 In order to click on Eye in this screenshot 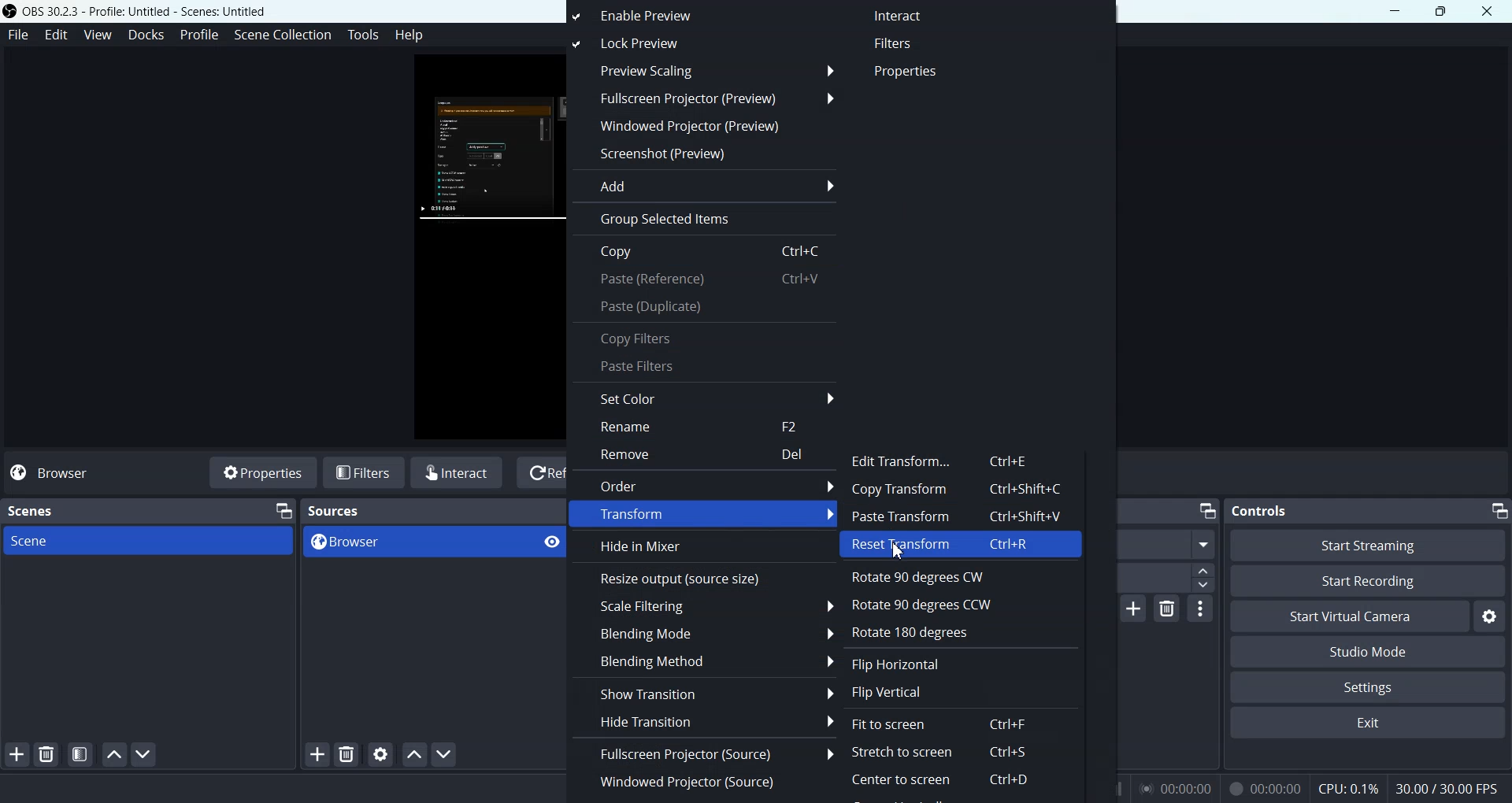, I will do `click(552, 542)`.